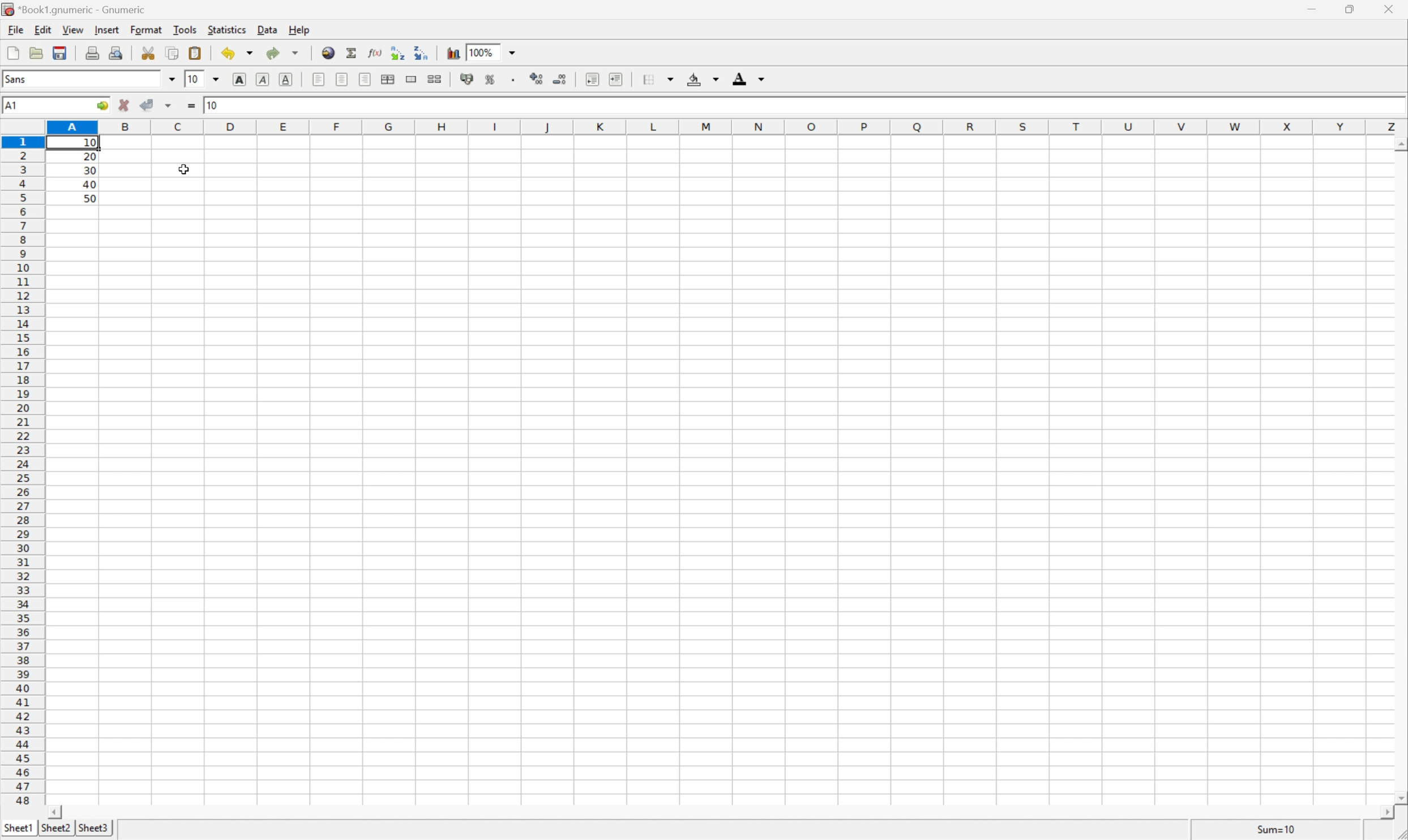 The width and height of the screenshot is (1408, 840). I want to click on 40, so click(89, 183).